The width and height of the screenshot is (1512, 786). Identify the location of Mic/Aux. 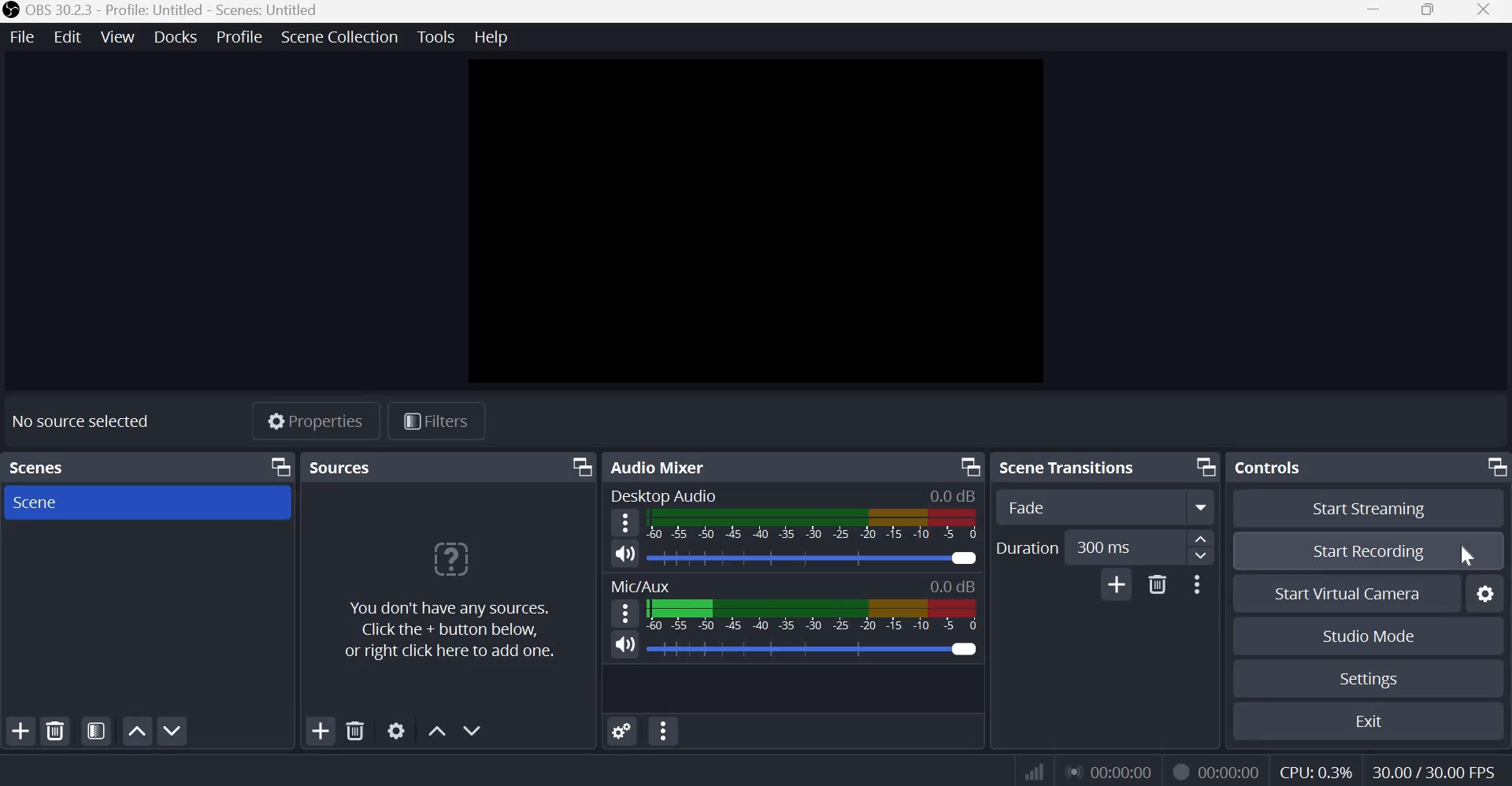
(645, 586).